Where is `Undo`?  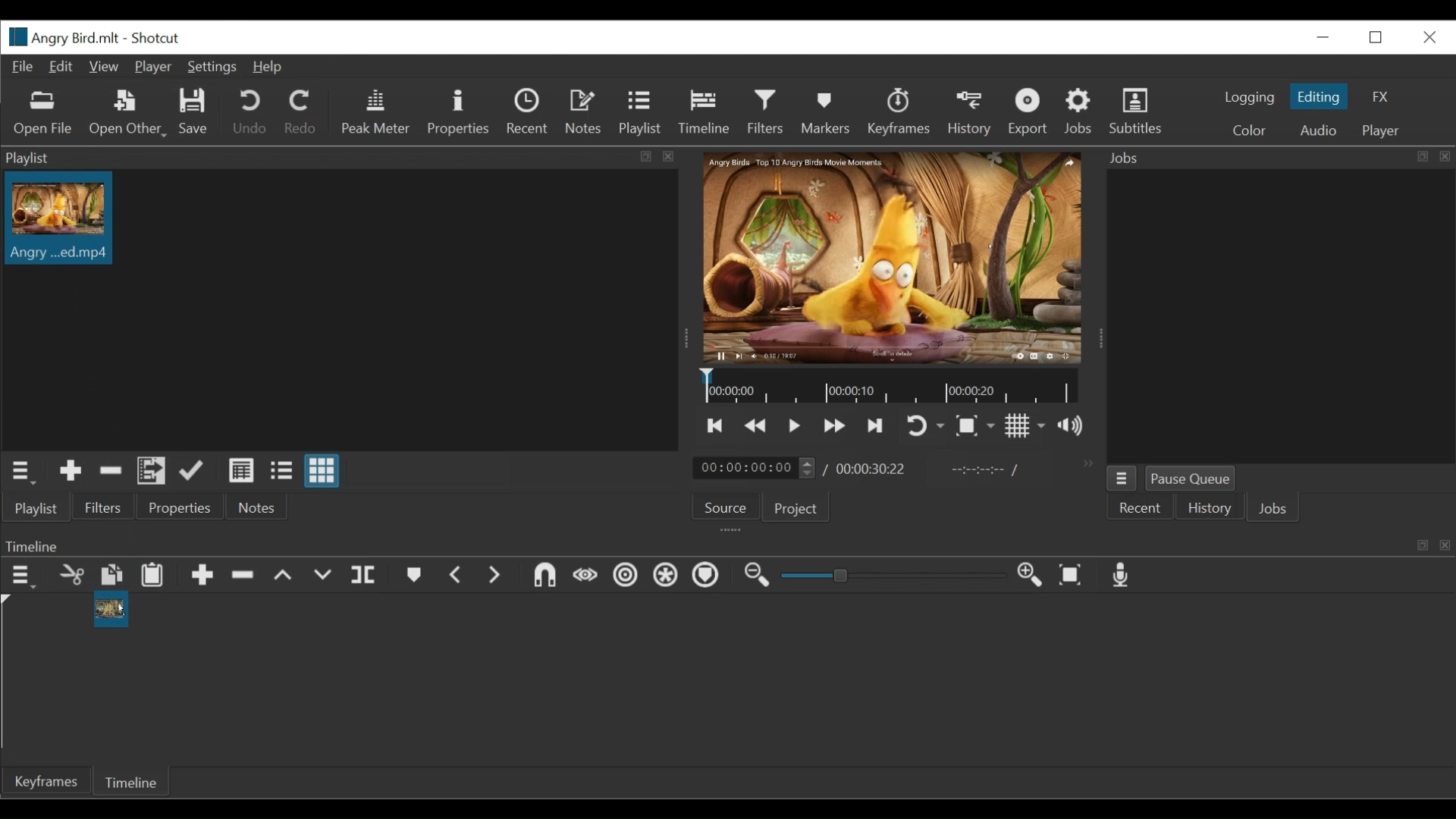 Undo is located at coordinates (253, 112).